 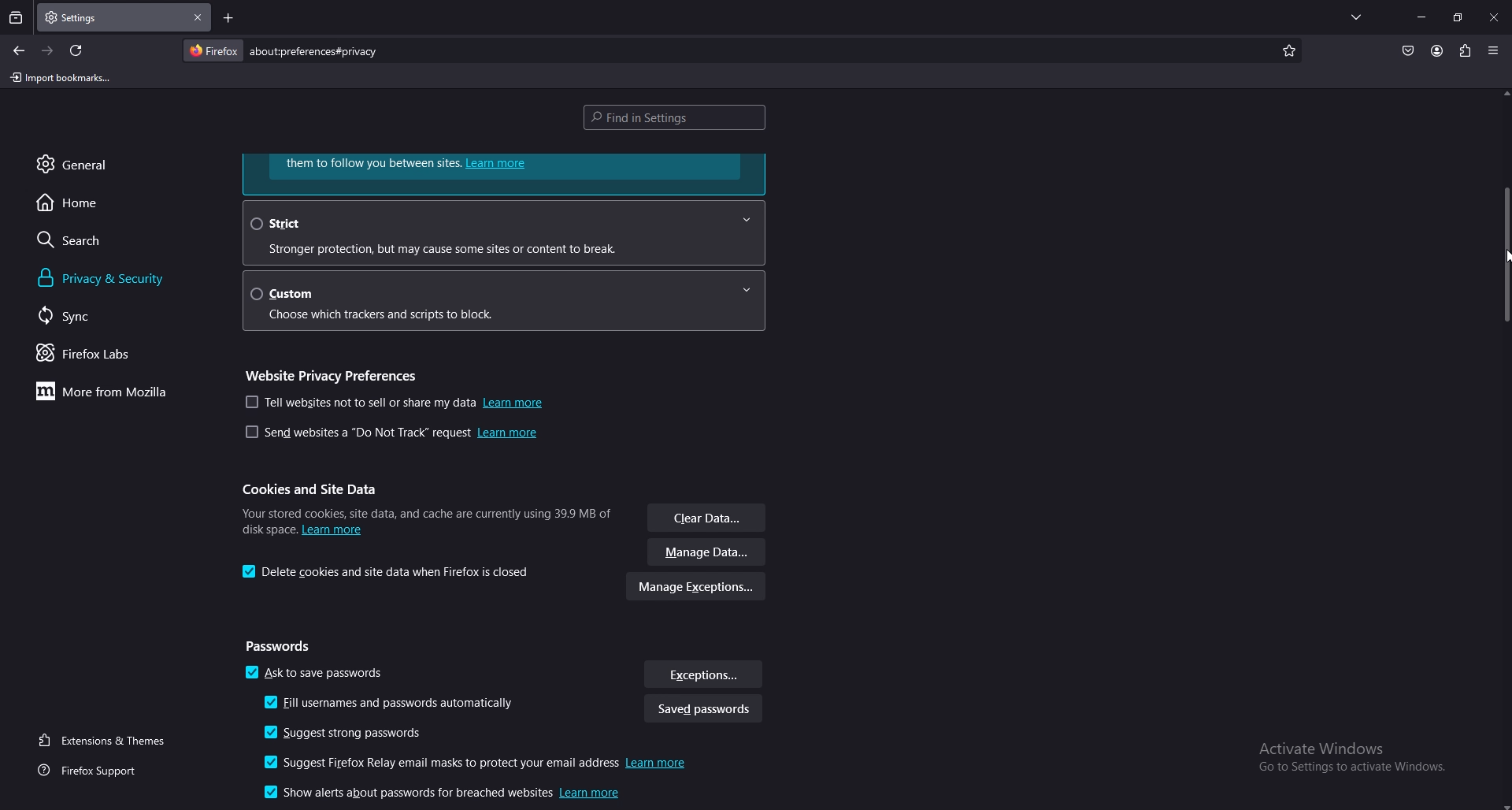 I want to click on close tab, so click(x=198, y=18).